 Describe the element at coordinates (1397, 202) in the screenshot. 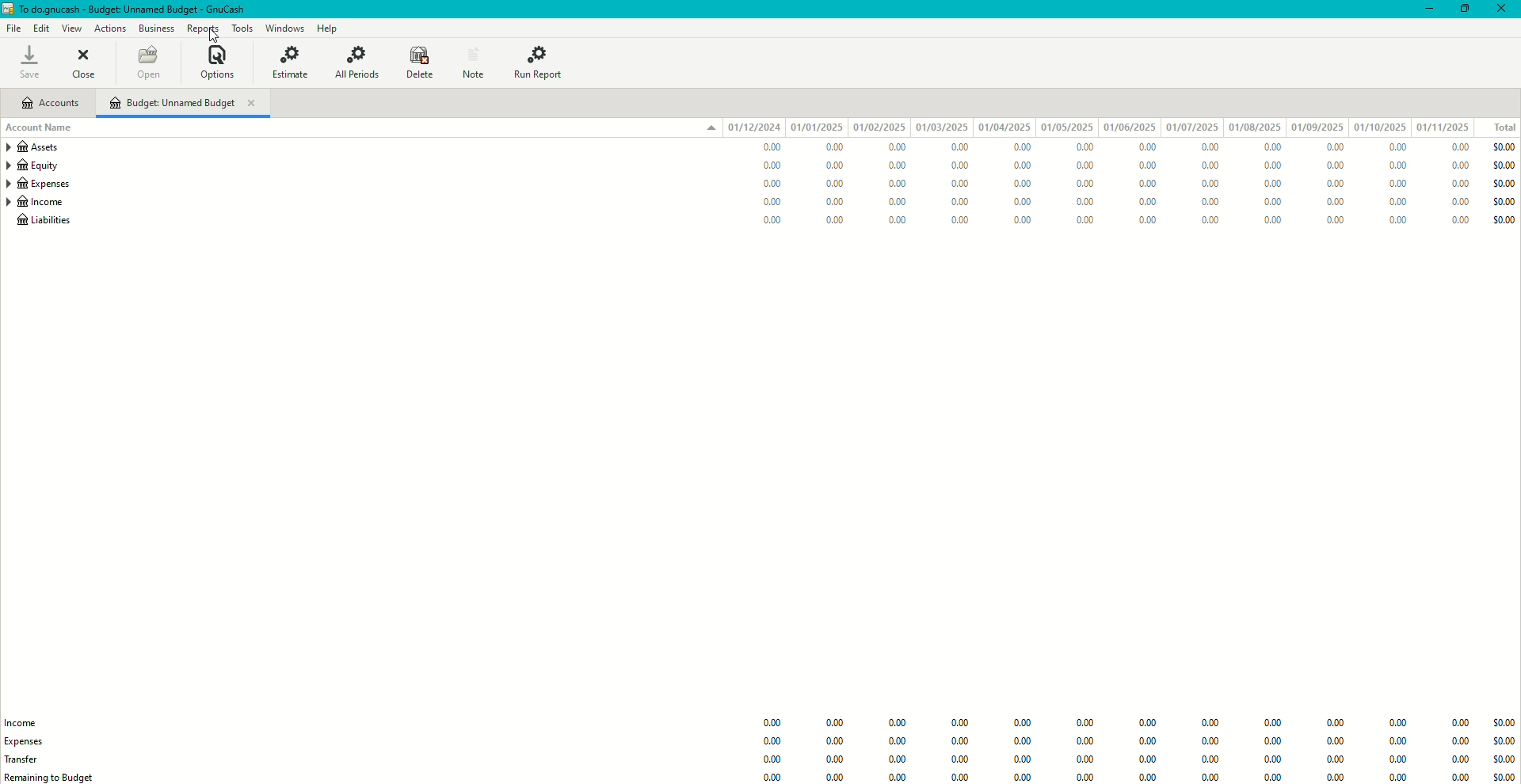

I see `0.00` at that location.